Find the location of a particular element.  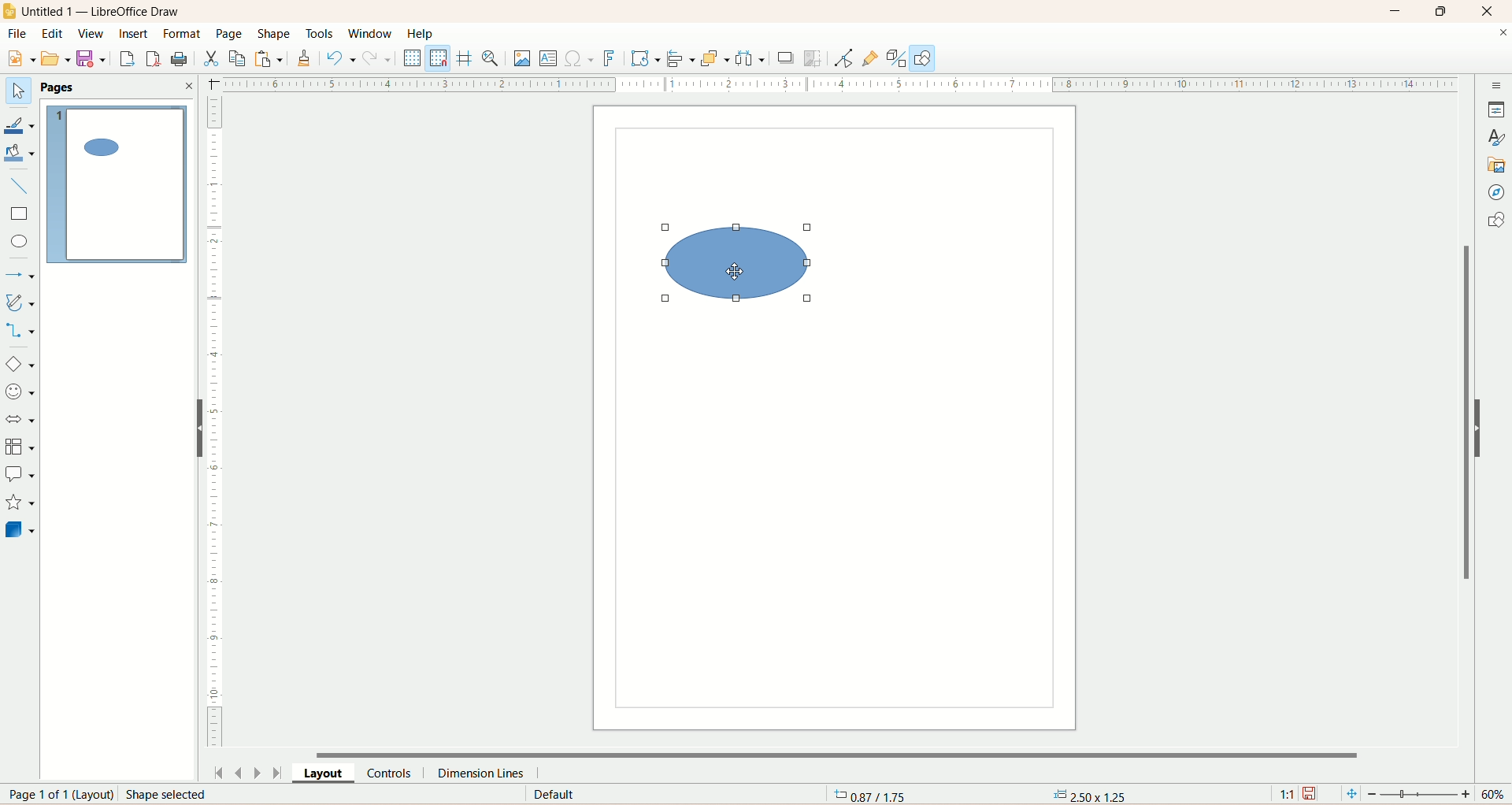

insert textbox is located at coordinates (547, 58).